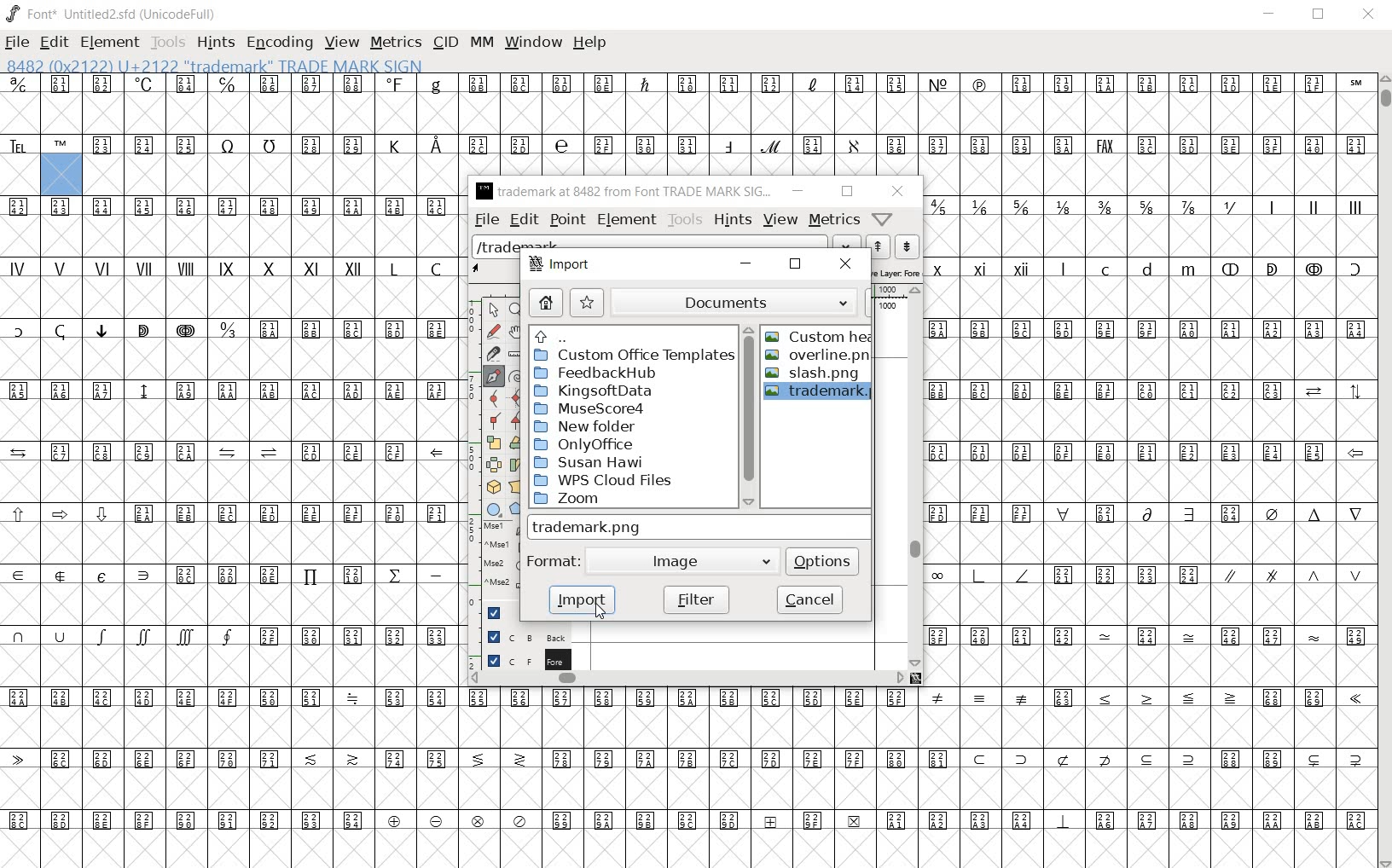 This screenshot has width=1392, height=868. I want to click on HELP, so click(590, 44).